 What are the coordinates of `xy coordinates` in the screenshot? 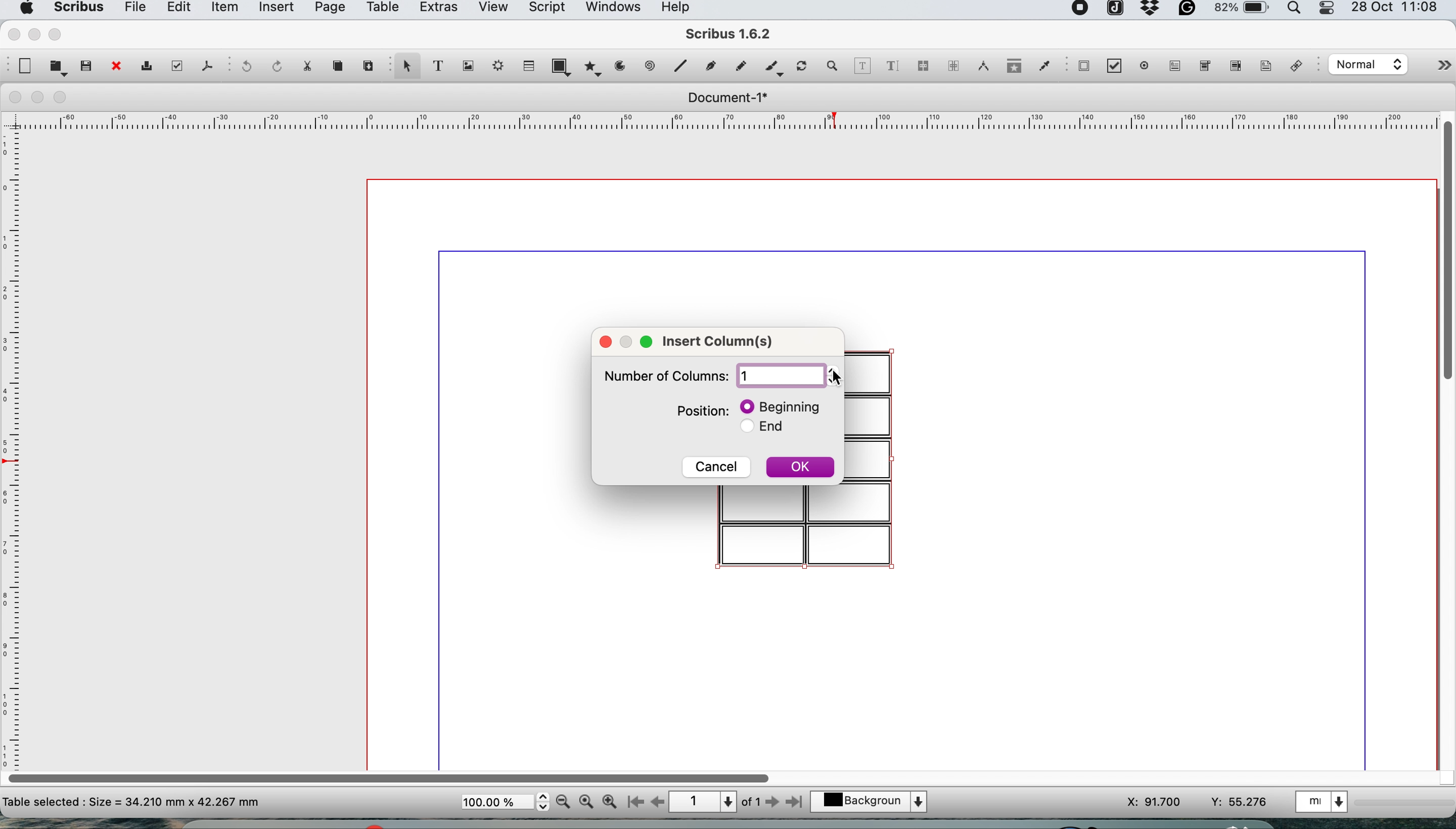 It's located at (1197, 802).